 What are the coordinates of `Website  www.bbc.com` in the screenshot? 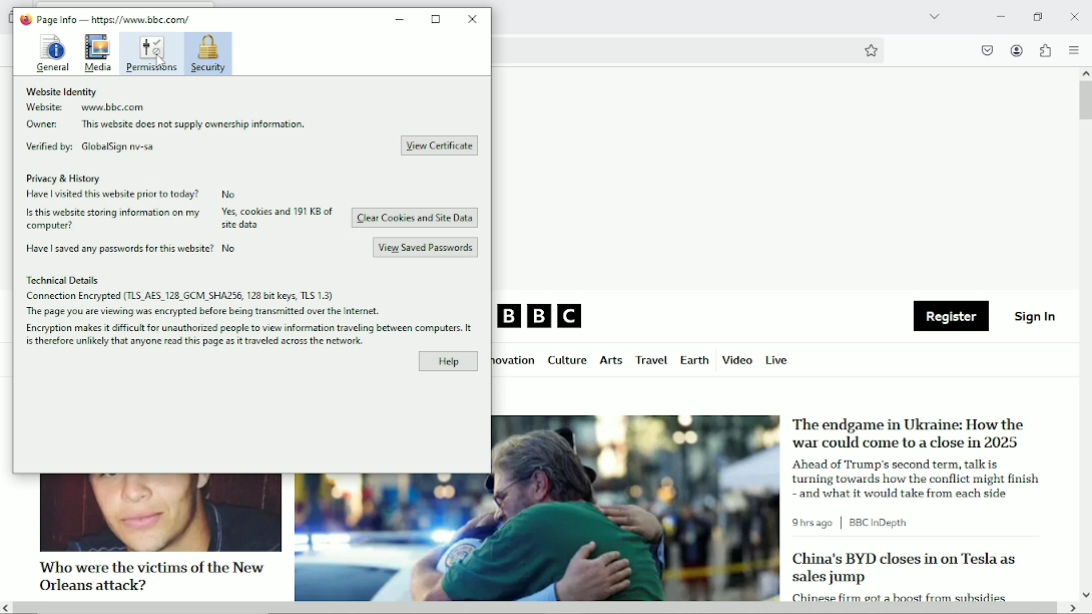 It's located at (84, 107).